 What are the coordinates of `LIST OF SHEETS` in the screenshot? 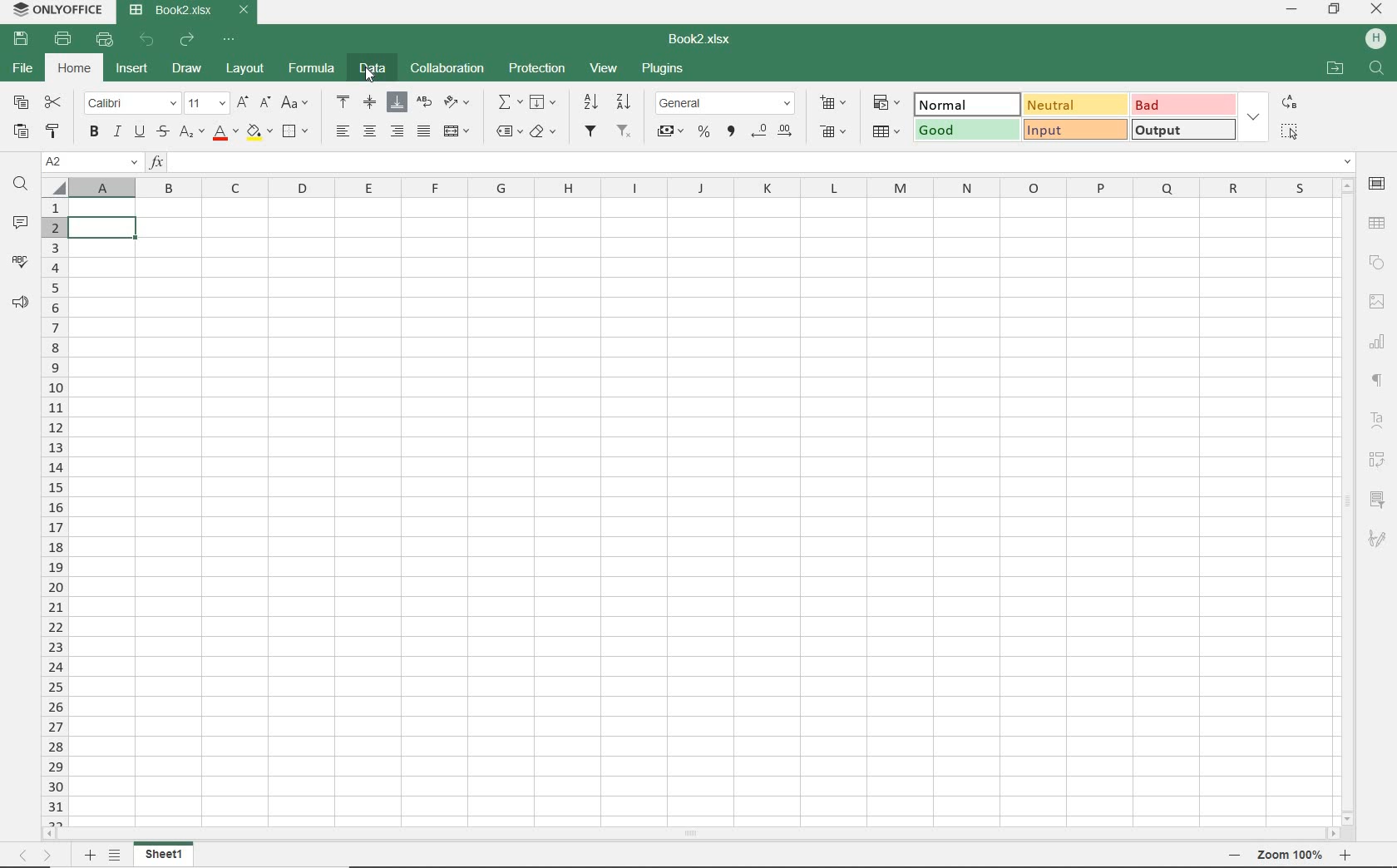 It's located at (118, 856).